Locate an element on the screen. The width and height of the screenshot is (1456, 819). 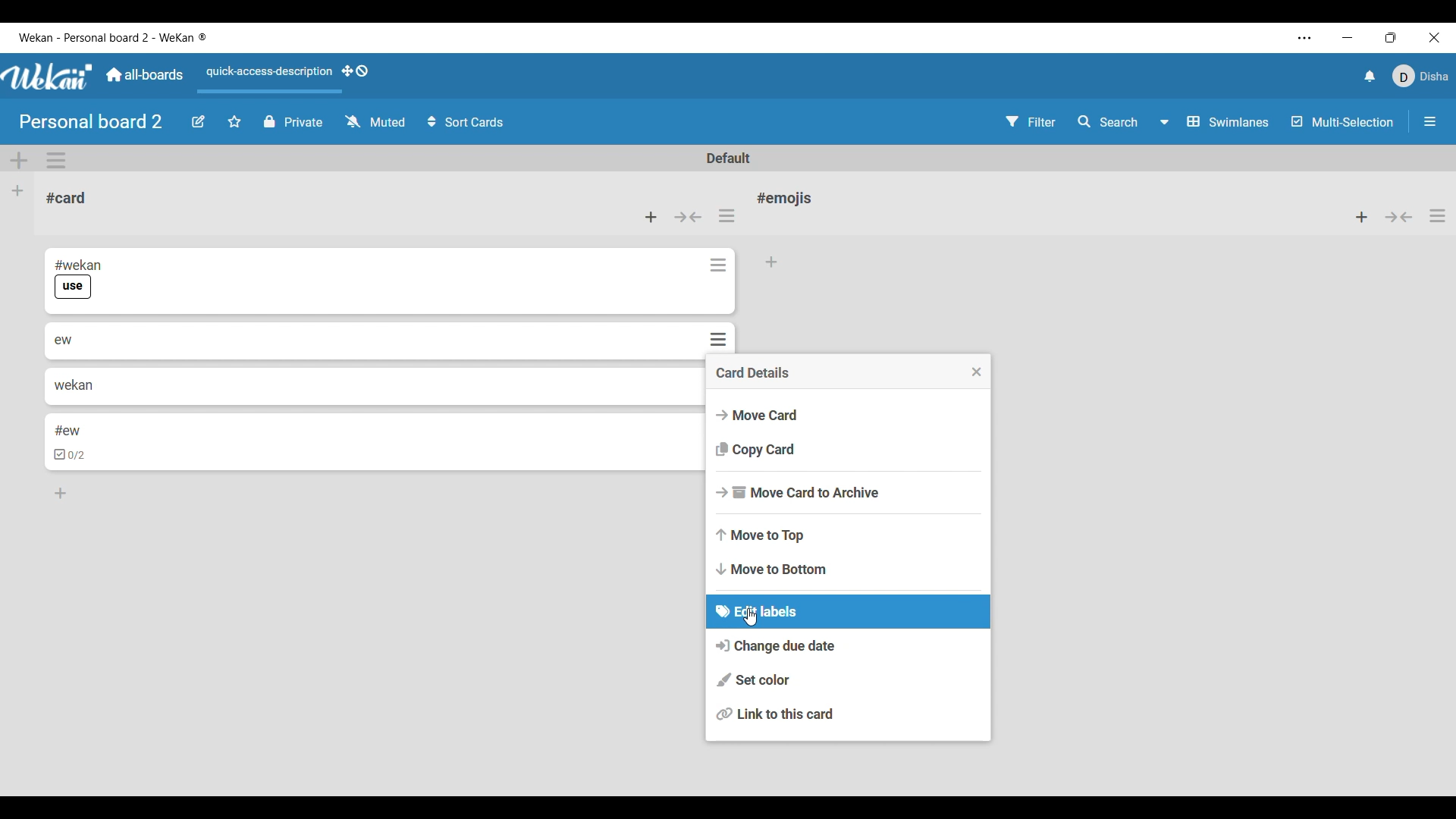
Board name is located at coordinates (90, 121).